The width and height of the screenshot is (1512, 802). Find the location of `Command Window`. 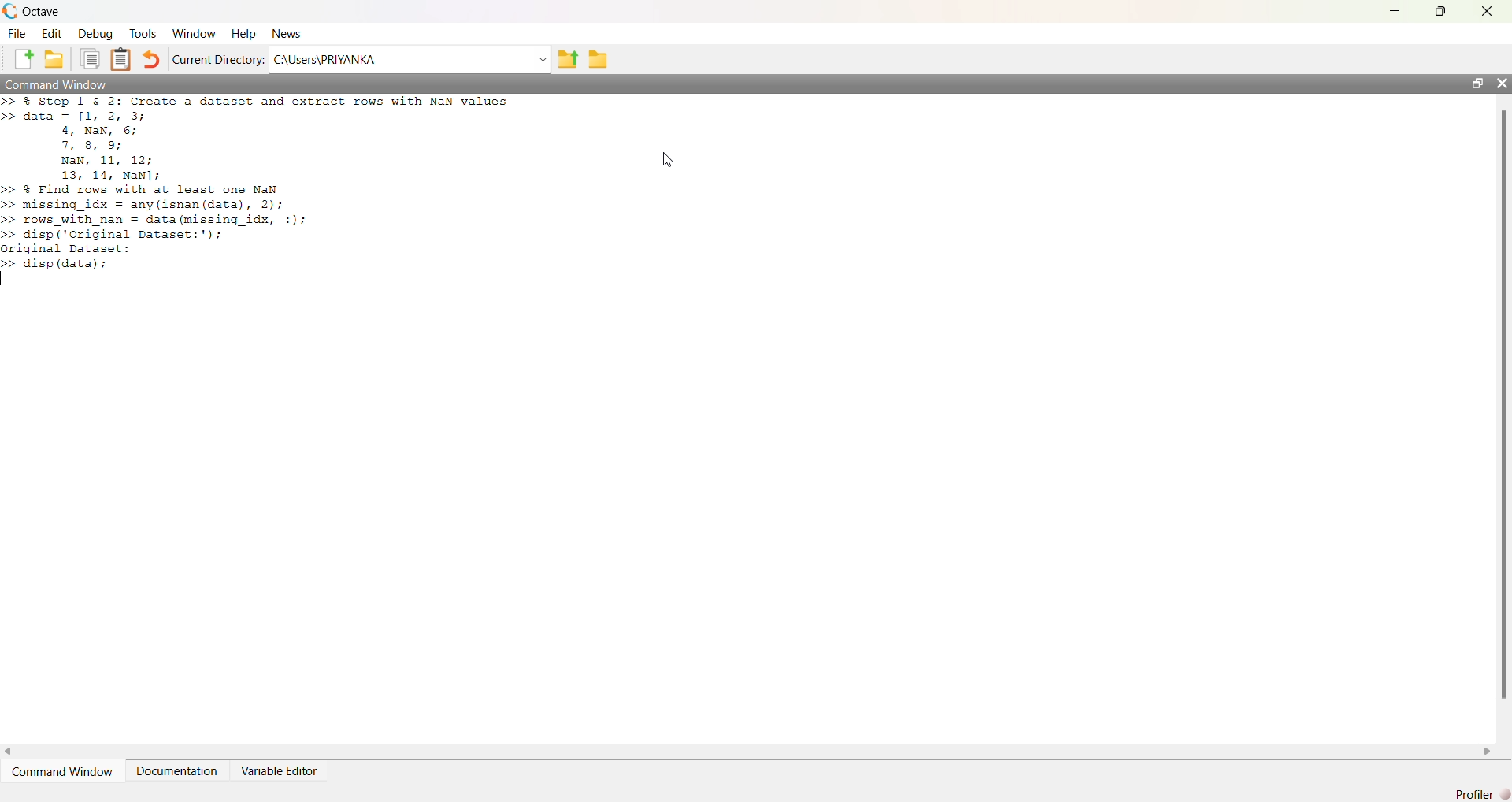

Command Window is located at coordinates (62, 772).